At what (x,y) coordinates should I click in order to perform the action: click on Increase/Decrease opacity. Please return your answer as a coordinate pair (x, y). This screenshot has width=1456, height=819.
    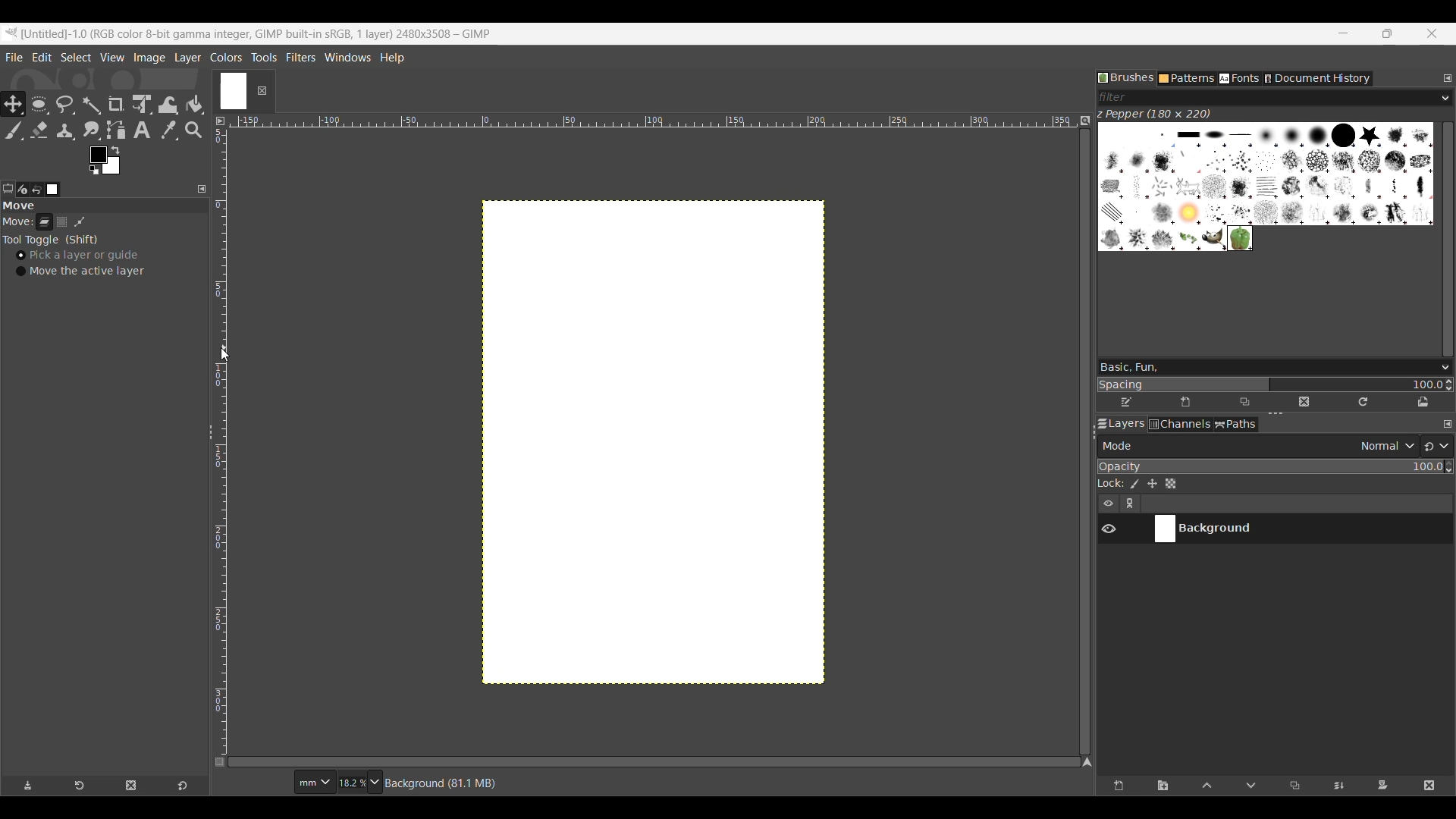
    Looking at the image, I should click on (1448, 467).